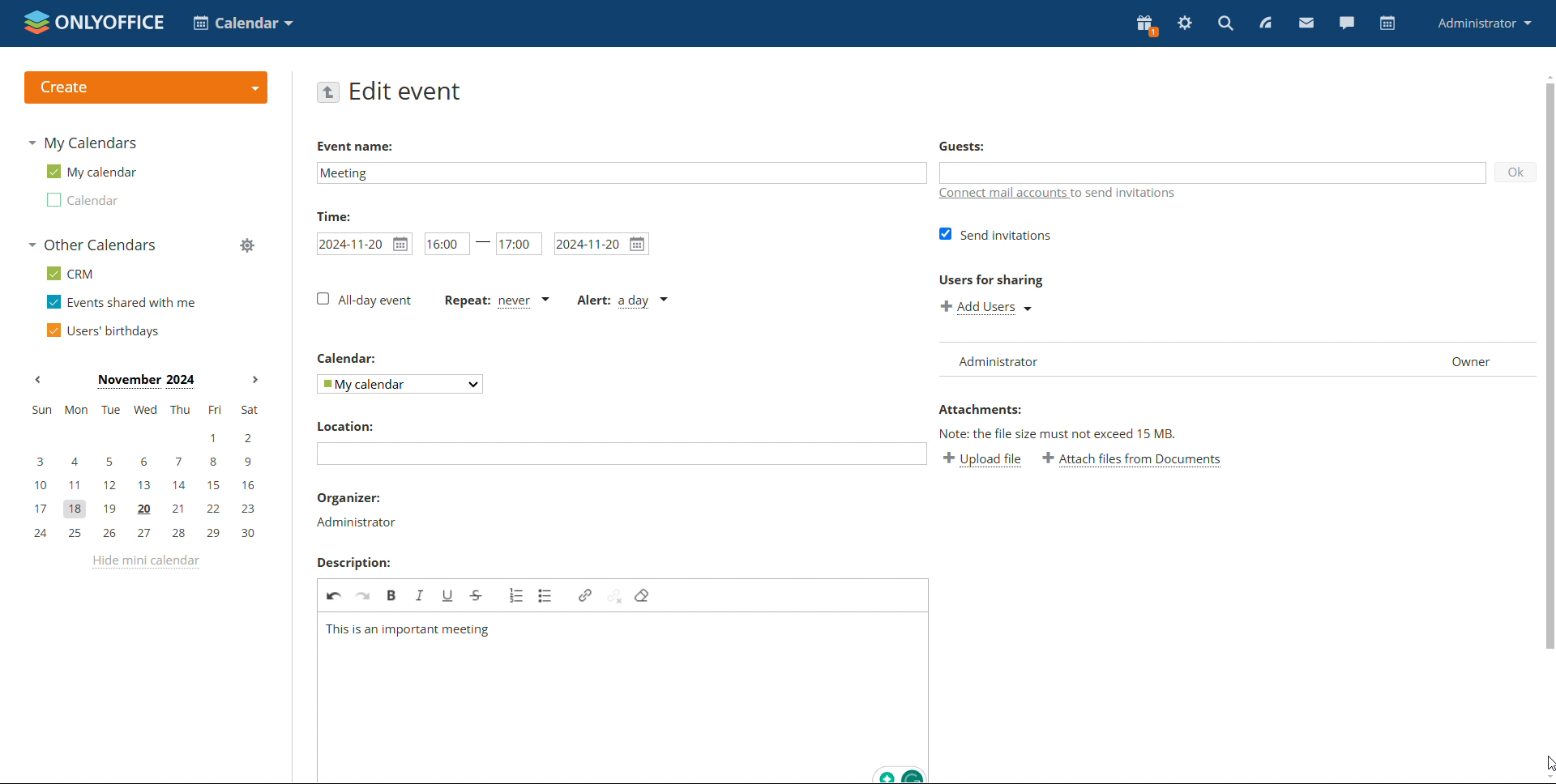 The image size is (1556, 784). What do you see at coordinates (103, 330) in the screenshot?
I see `users' birthdays` at bounding box center [103, 330].